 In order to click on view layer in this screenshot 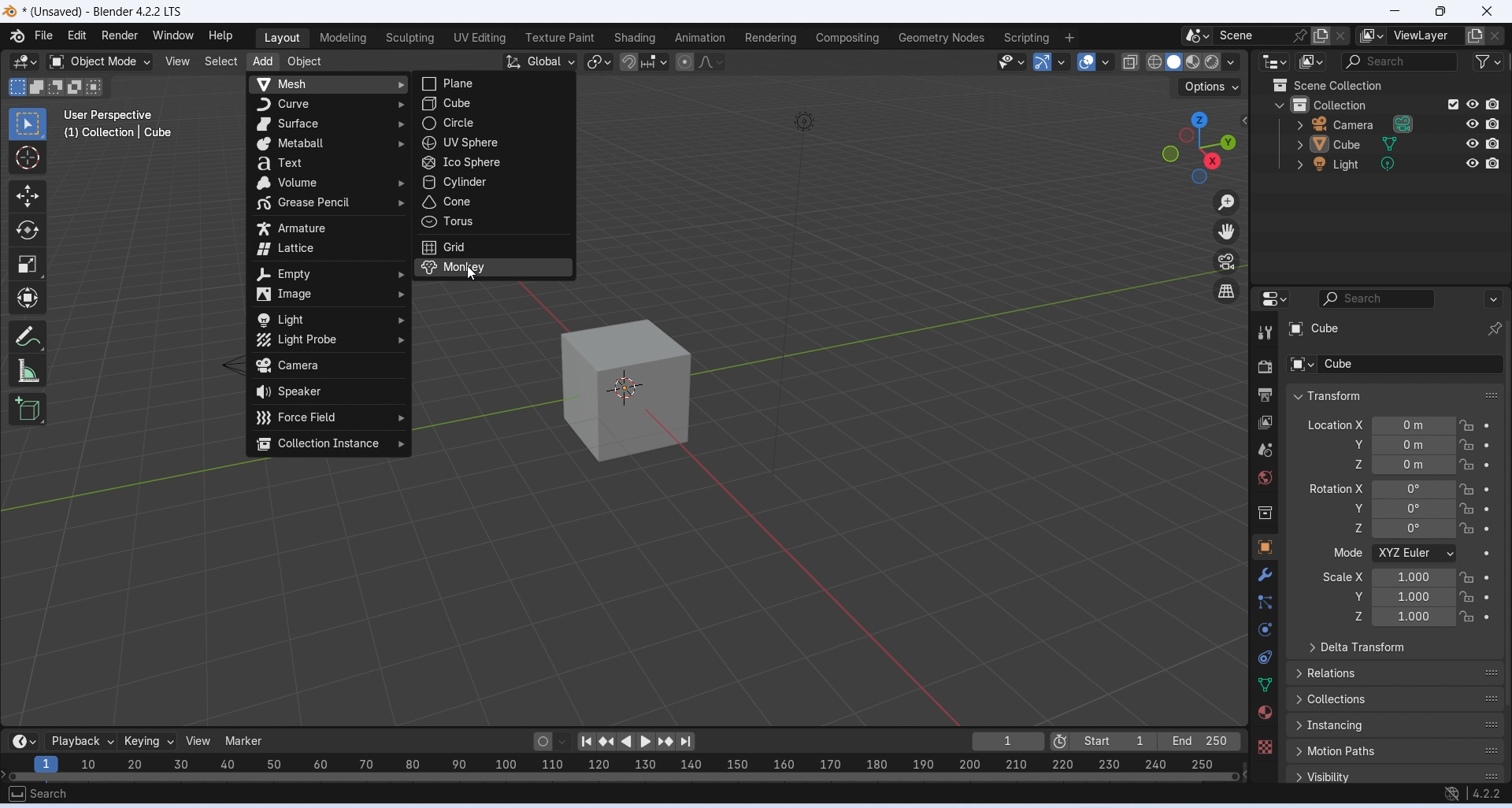, I will do `click(1425, 35)`.